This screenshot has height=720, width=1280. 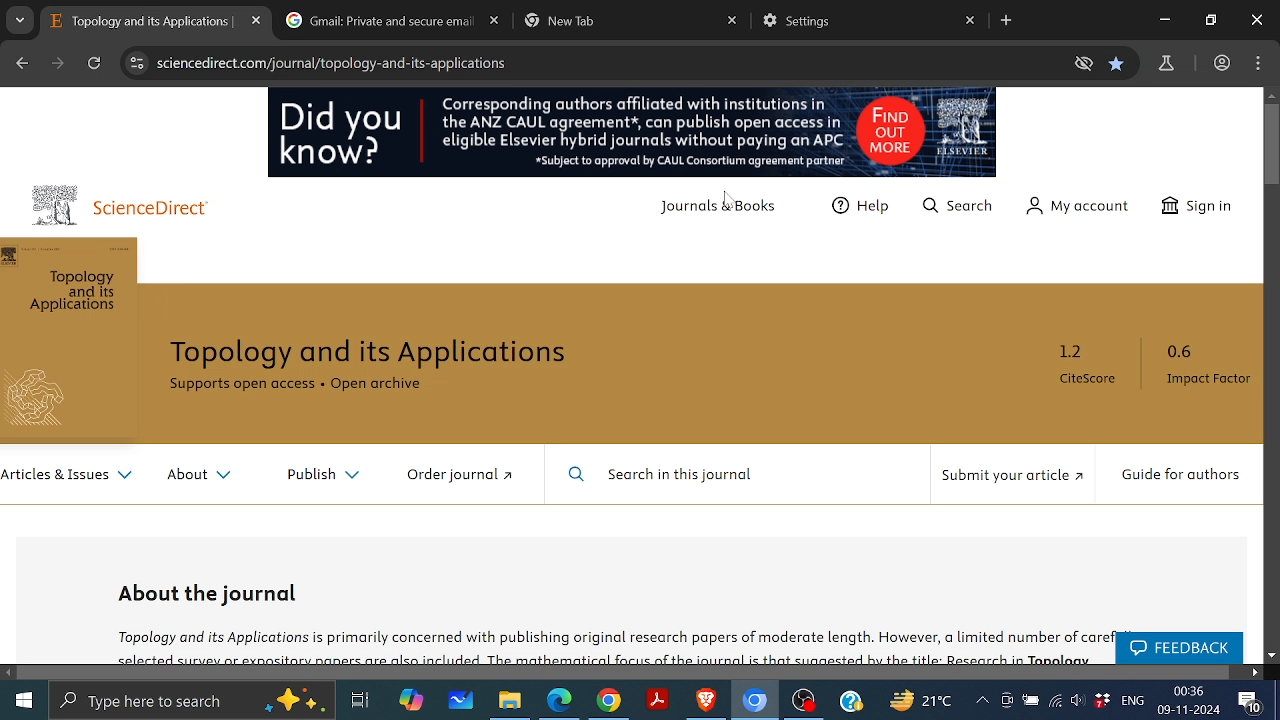 I want to click on Reload page, so click(x=95, y=62).